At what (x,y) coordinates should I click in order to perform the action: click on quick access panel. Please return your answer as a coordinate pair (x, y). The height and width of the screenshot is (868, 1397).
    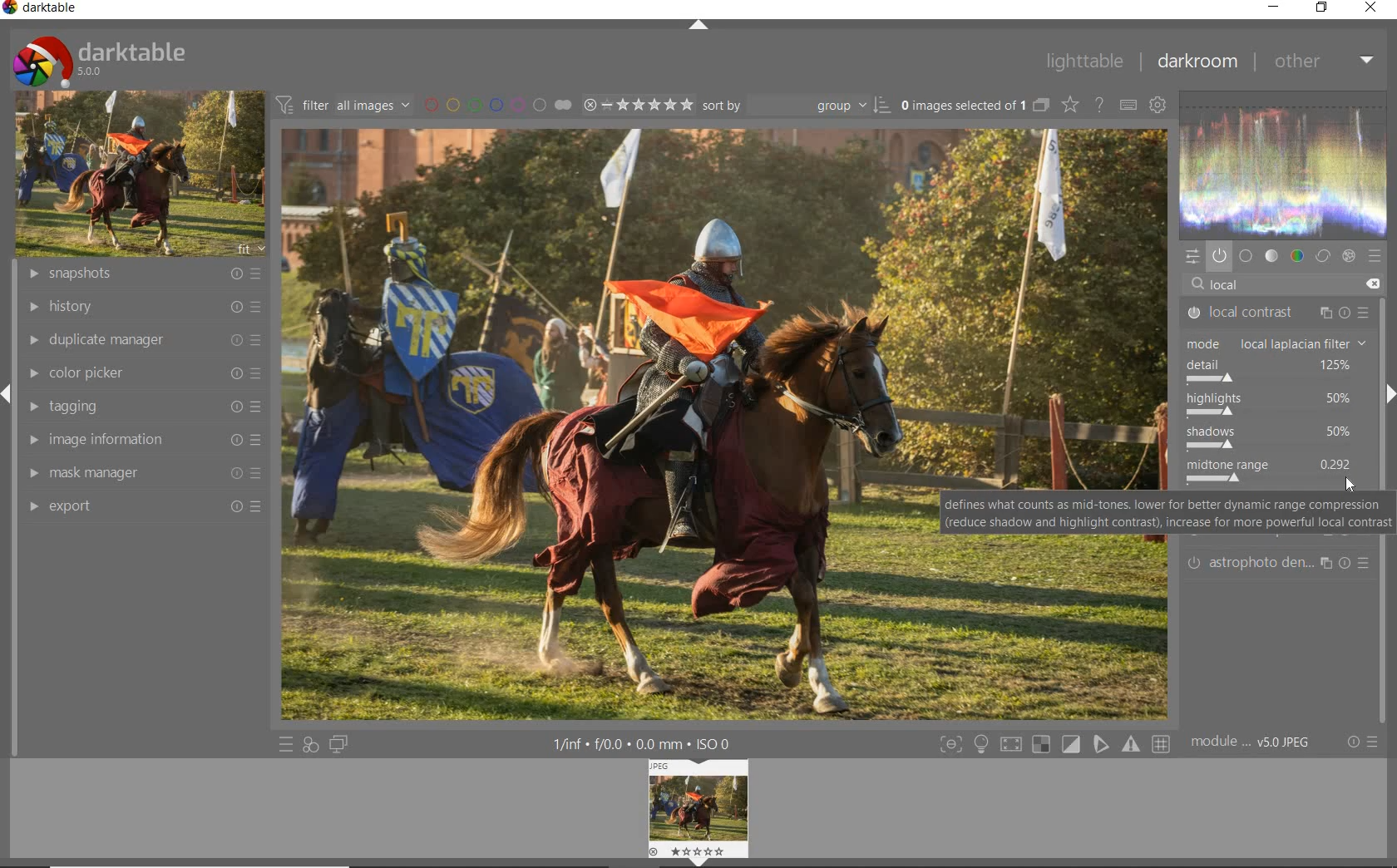
    Looking at the image, I should click on (1192, 256).